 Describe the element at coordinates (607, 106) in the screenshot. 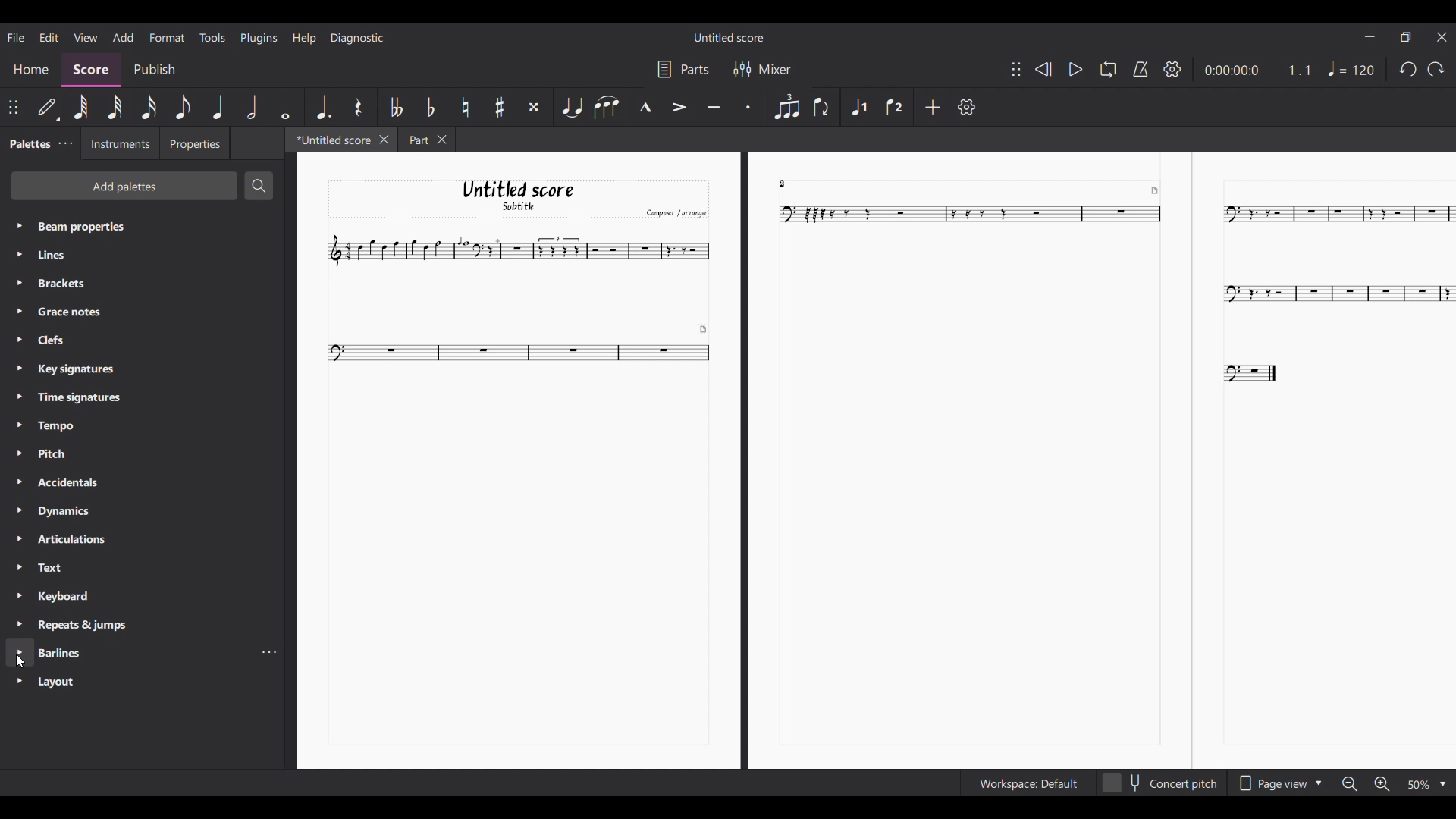

I see `Slur` at that location.